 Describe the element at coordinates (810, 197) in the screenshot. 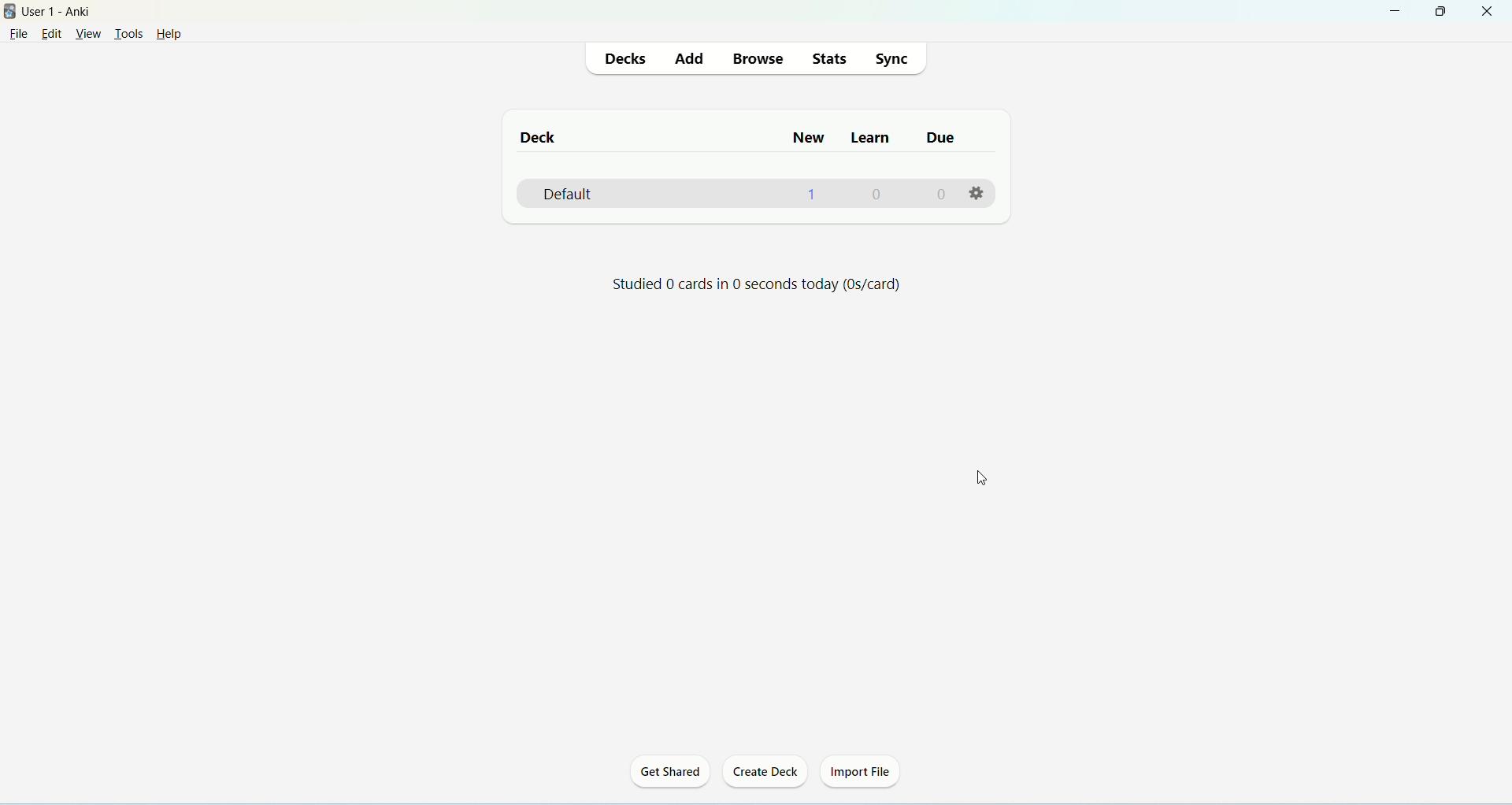

I see `1` at that location.